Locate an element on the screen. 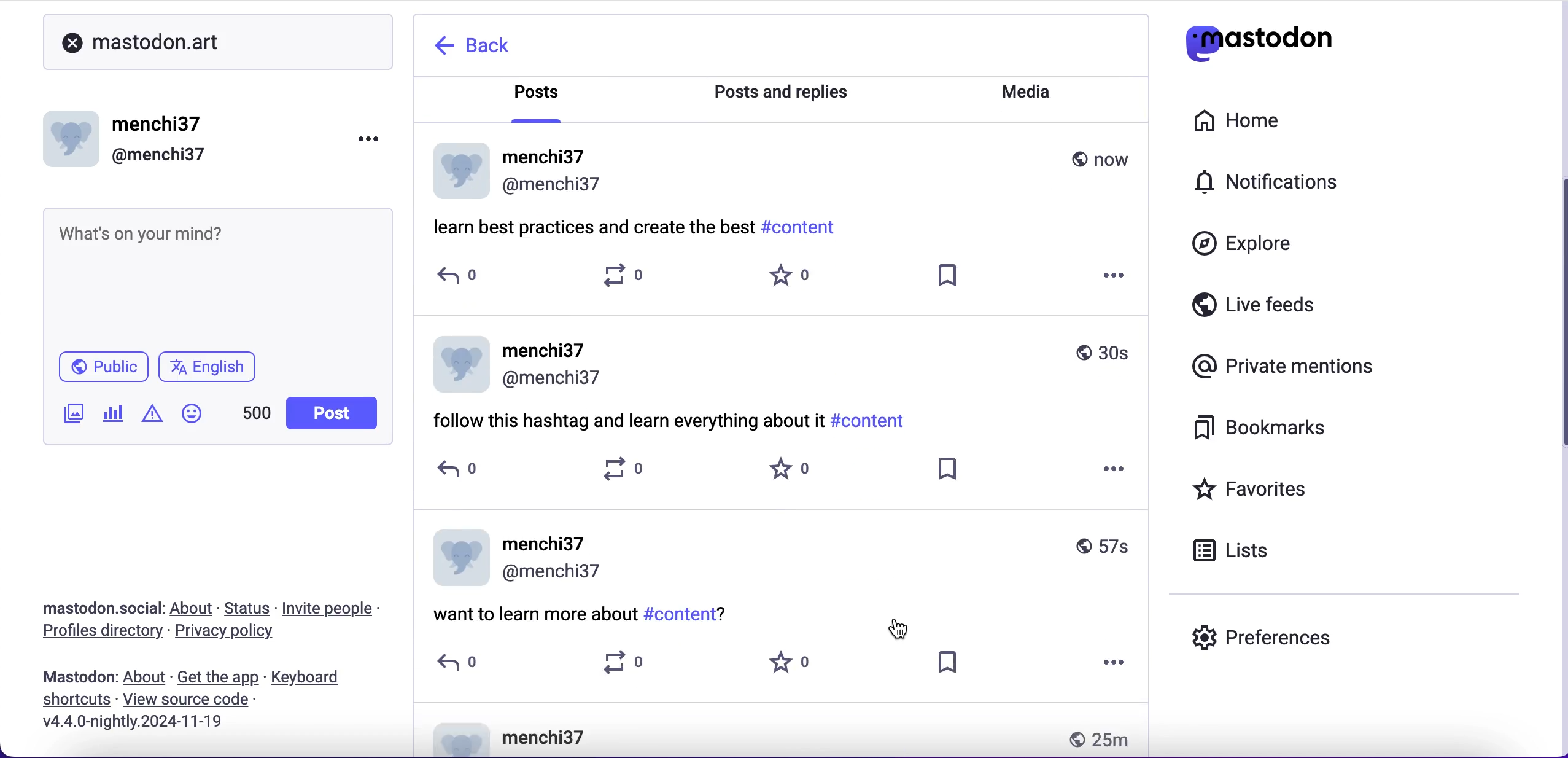 Image resolution: width=1568 pixels, height=758 pixels. options is located at coordinates (1111, 468).